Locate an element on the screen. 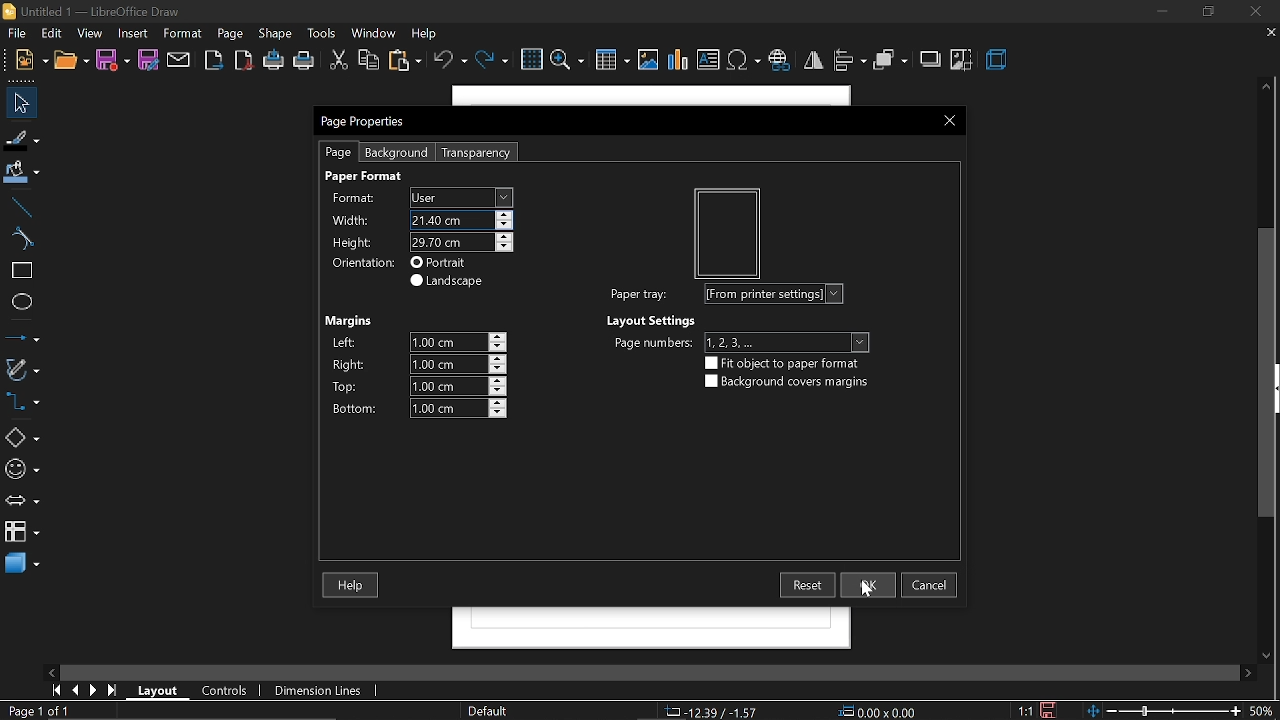 The image size is (1280, 720). select is located at coordinates (18, 103).